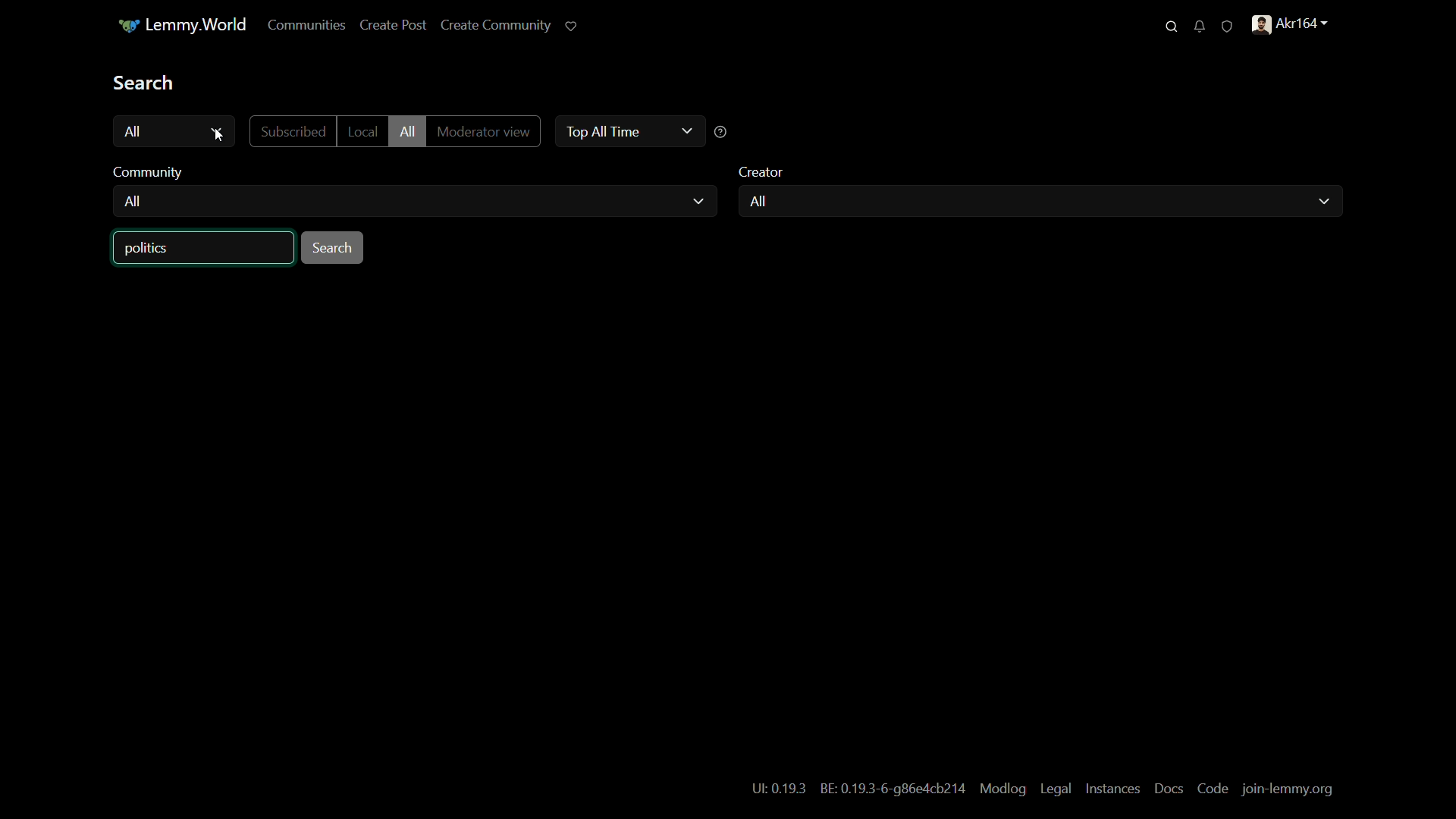 Image resolution: width=1456 pixels, height=819 pixels. I want to click on local, so click(361, 131).